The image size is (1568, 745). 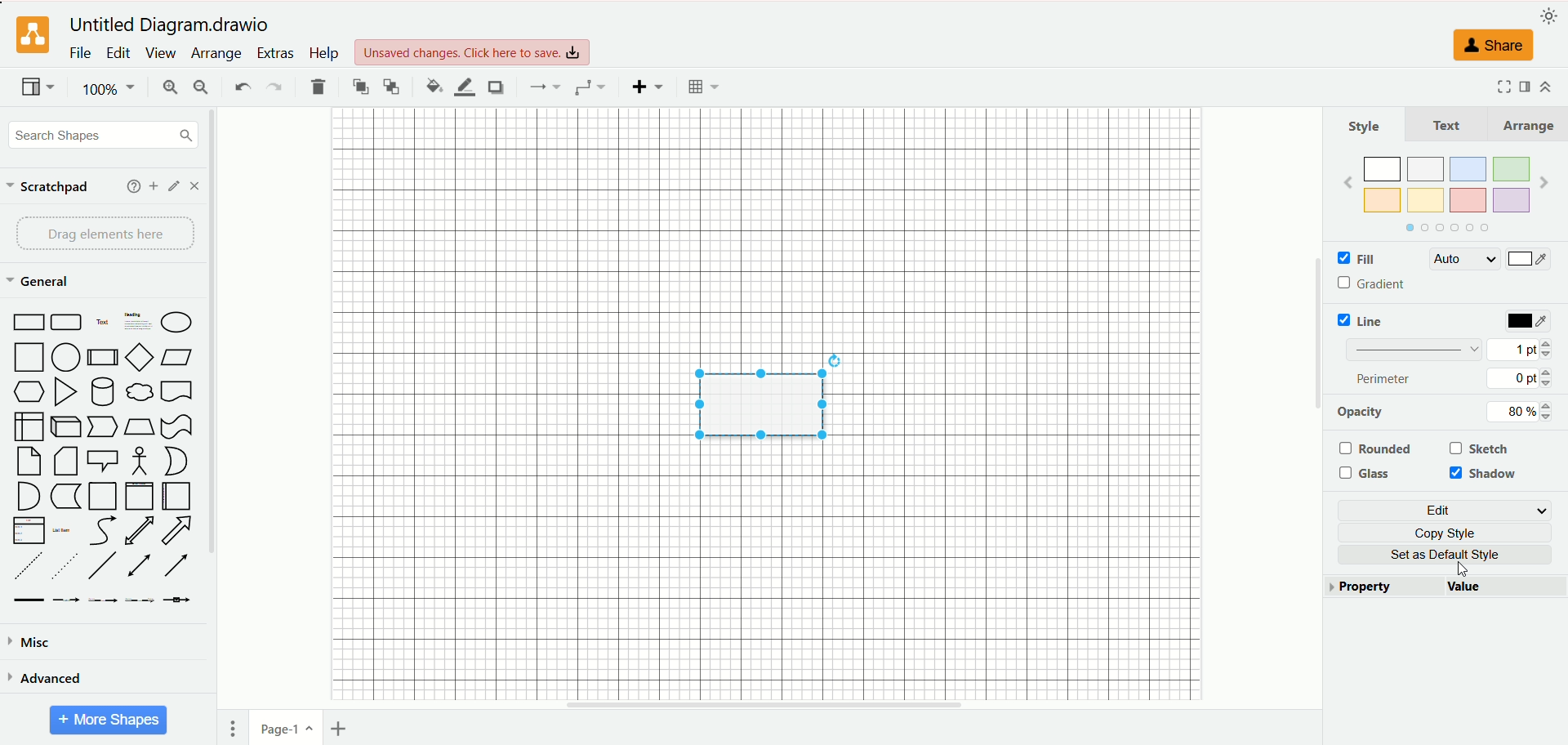 What do you see at coordinates (154, 186) in the screenshot?
I see `add` at bounding box center [154, 186].